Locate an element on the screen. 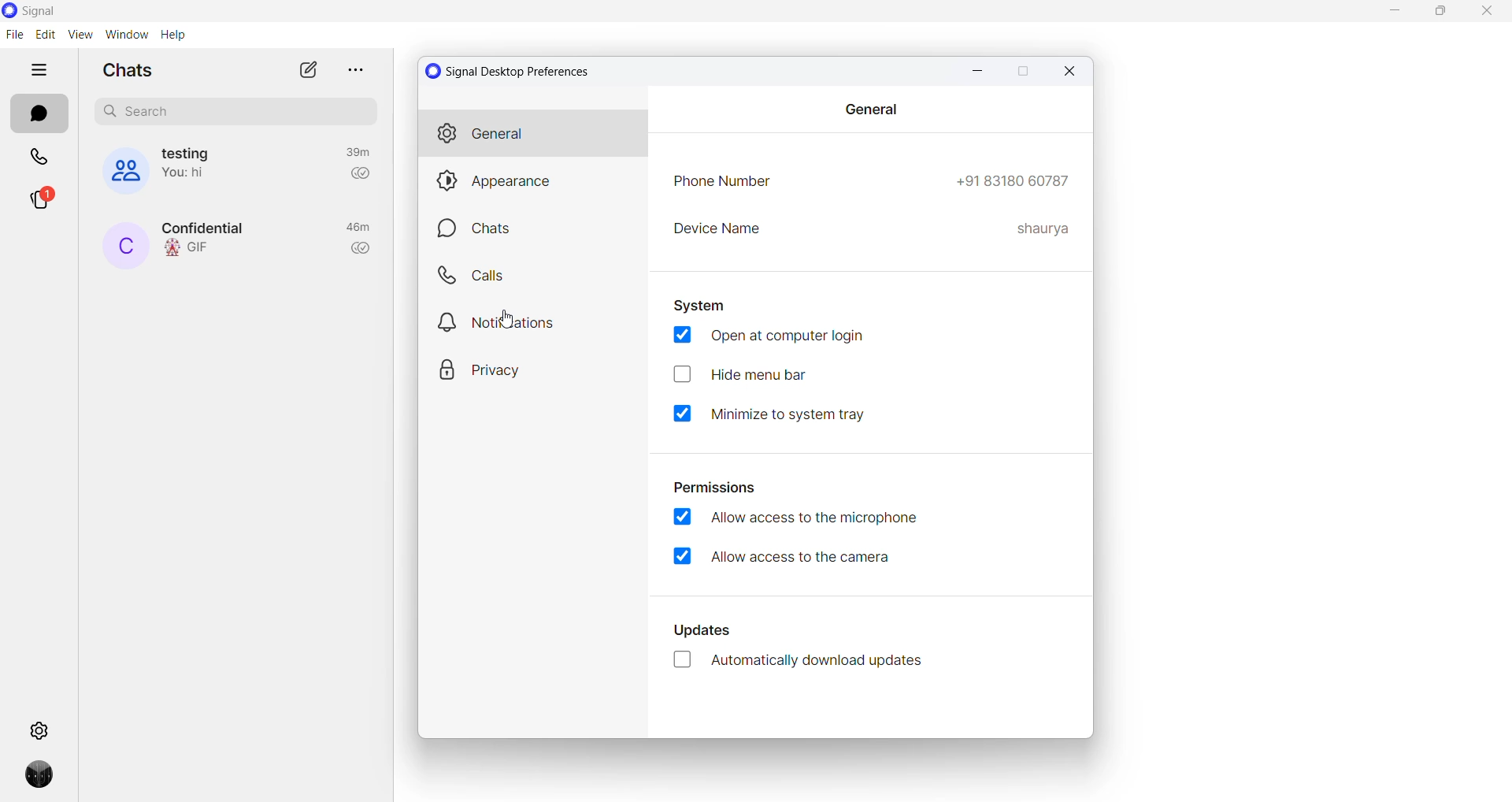 This screenshot has width=1512, height=802. last message is located at coordinates (191, 175).